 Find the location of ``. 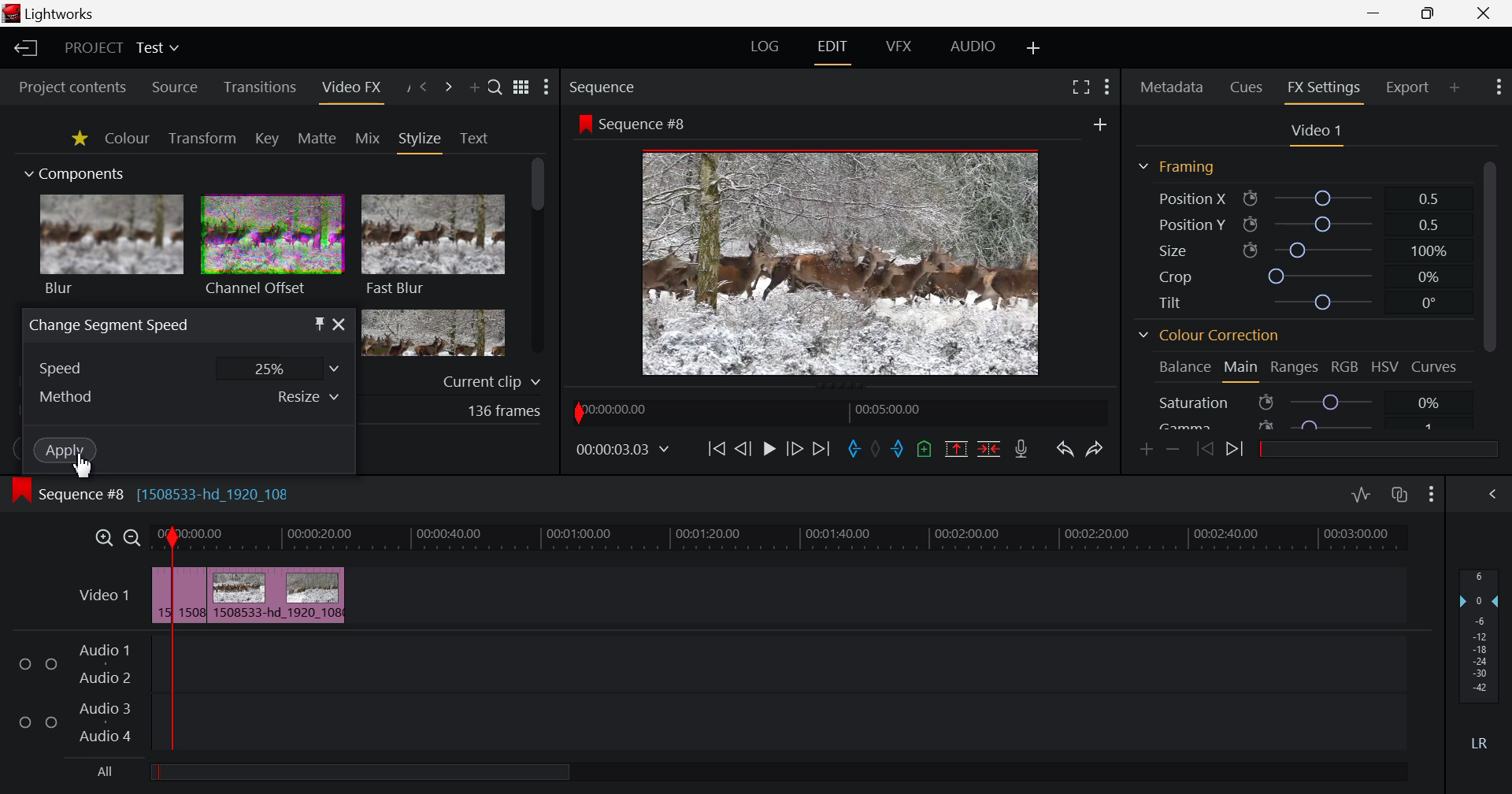

 is located at coordinates (622, 449).